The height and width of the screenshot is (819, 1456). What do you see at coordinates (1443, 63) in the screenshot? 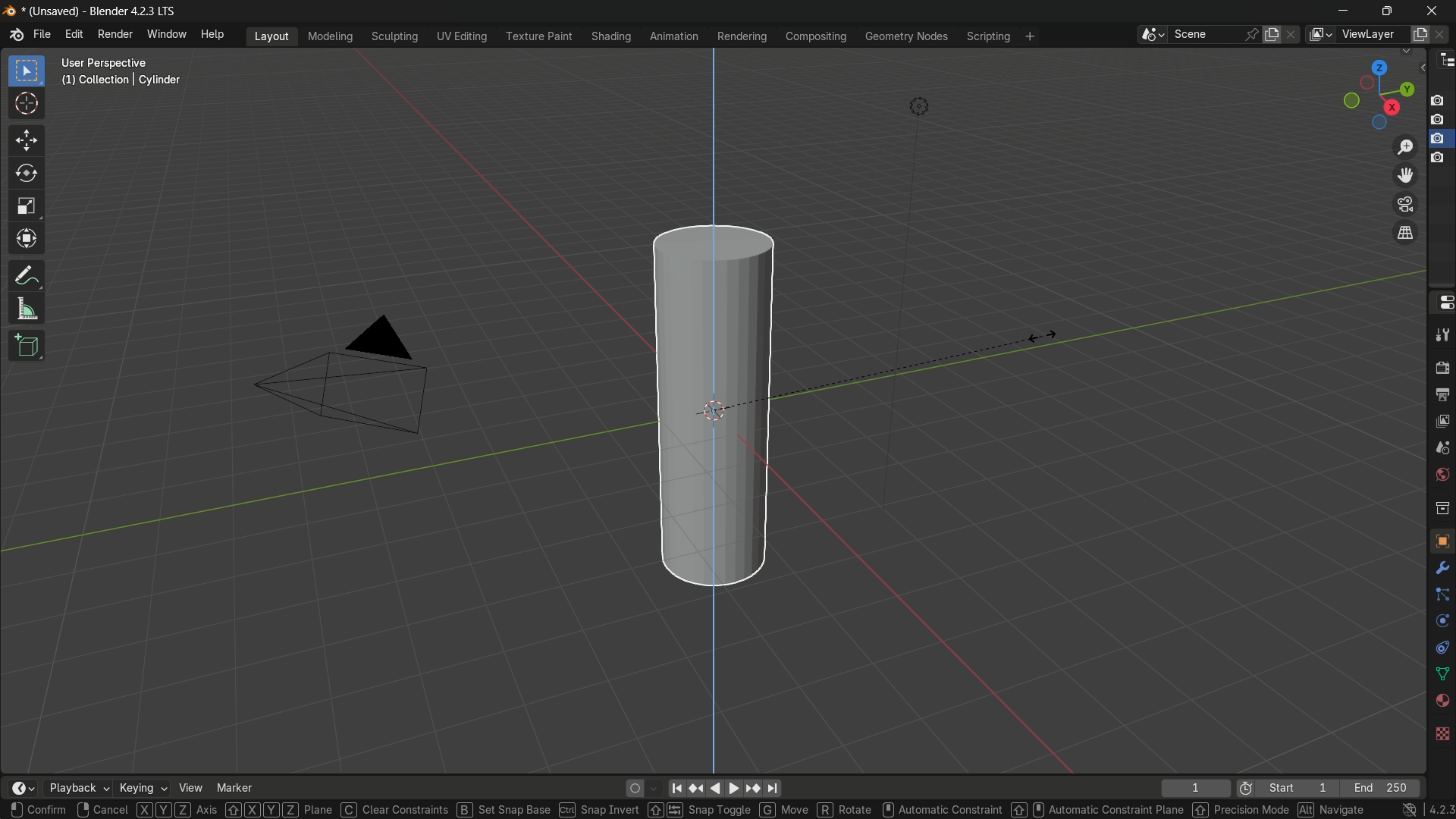
I see `outliner` at bounding box center [1443, 63].